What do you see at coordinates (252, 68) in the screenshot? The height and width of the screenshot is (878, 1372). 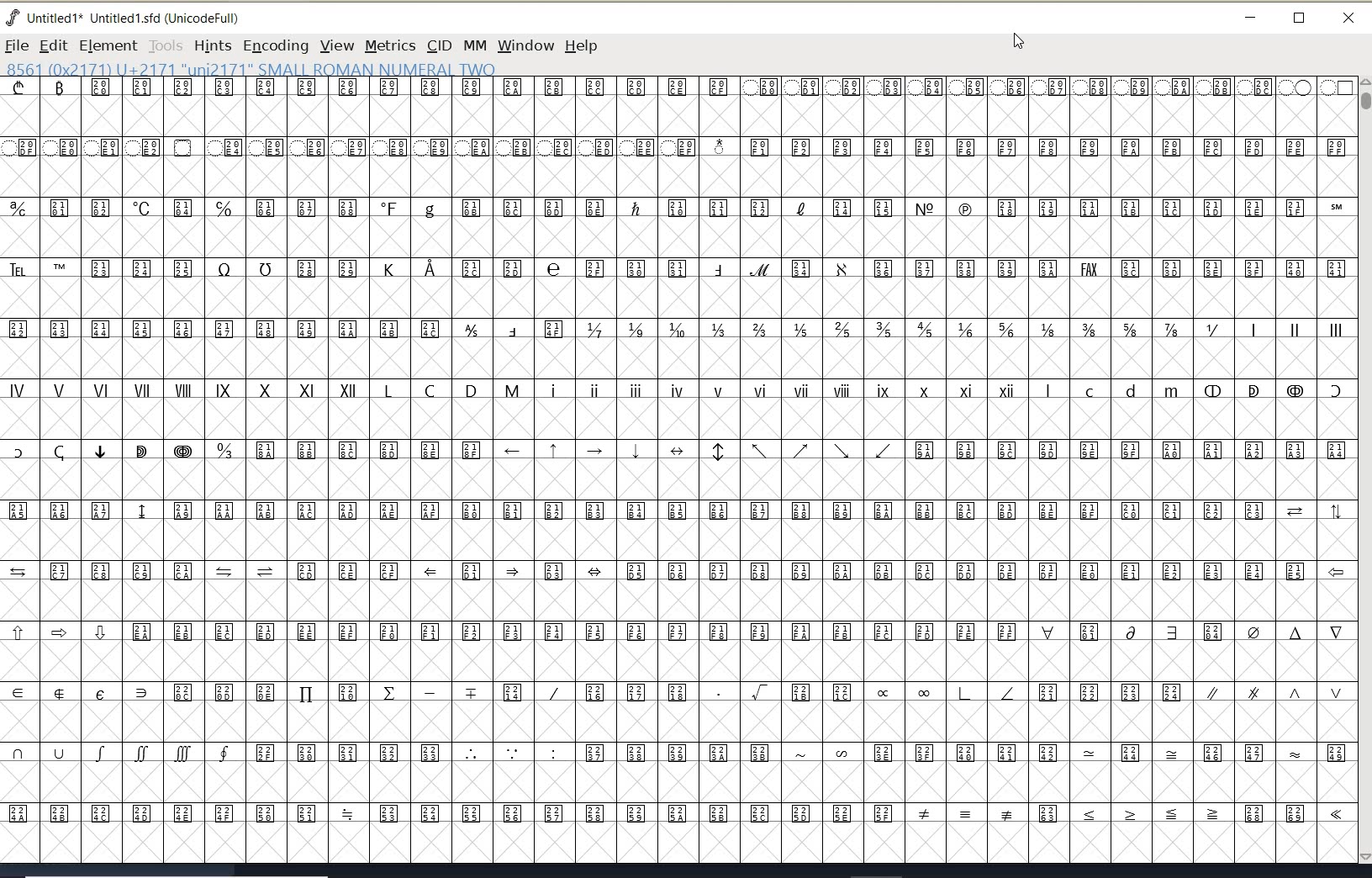 I see `8561 (0X2171) U+2171 "UNI171" SMALL ROMAN NUMERAL TWO` at bounding box center [252, 68].